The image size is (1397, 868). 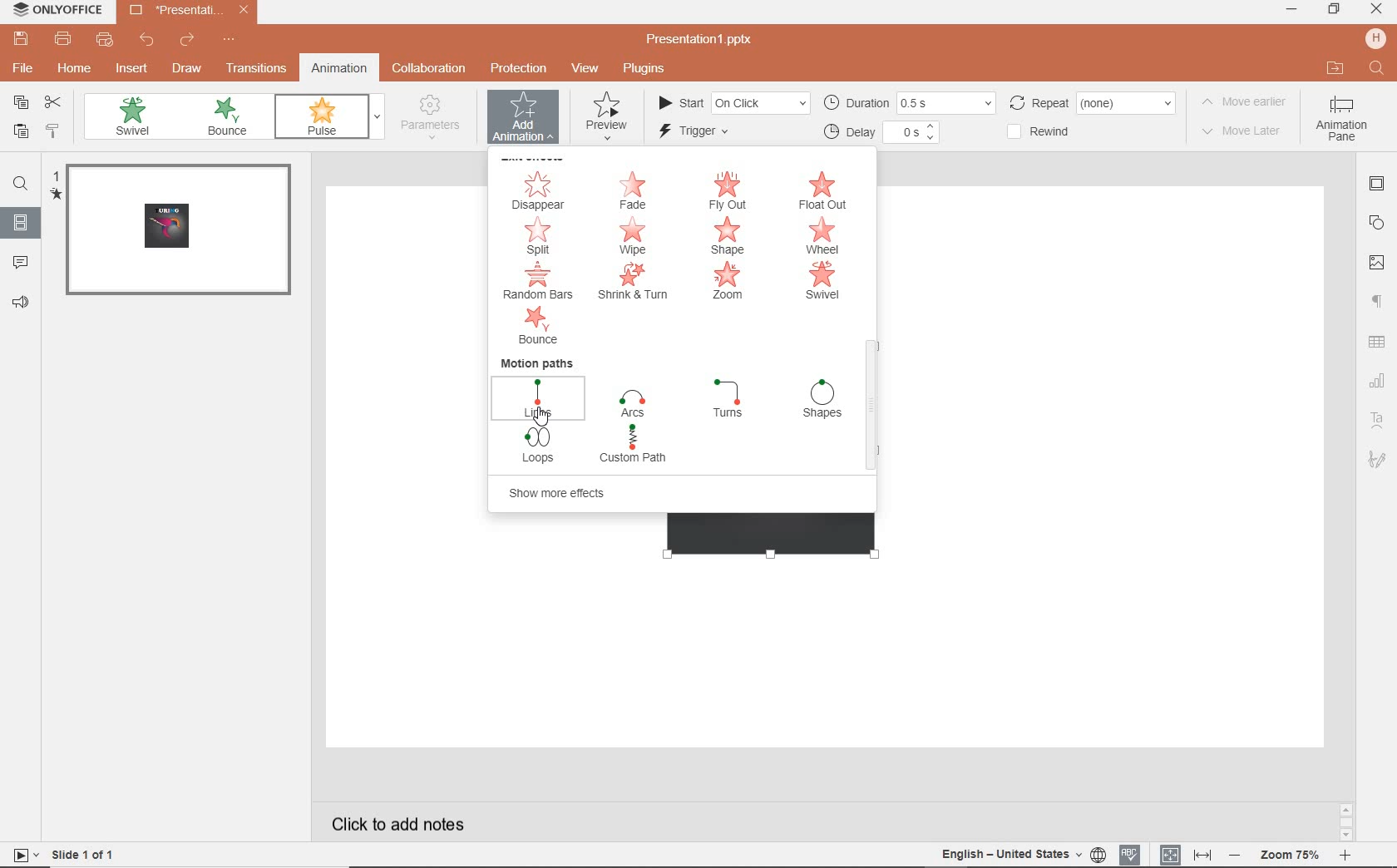 I want to click on swivel, so click(x=131, y=117).